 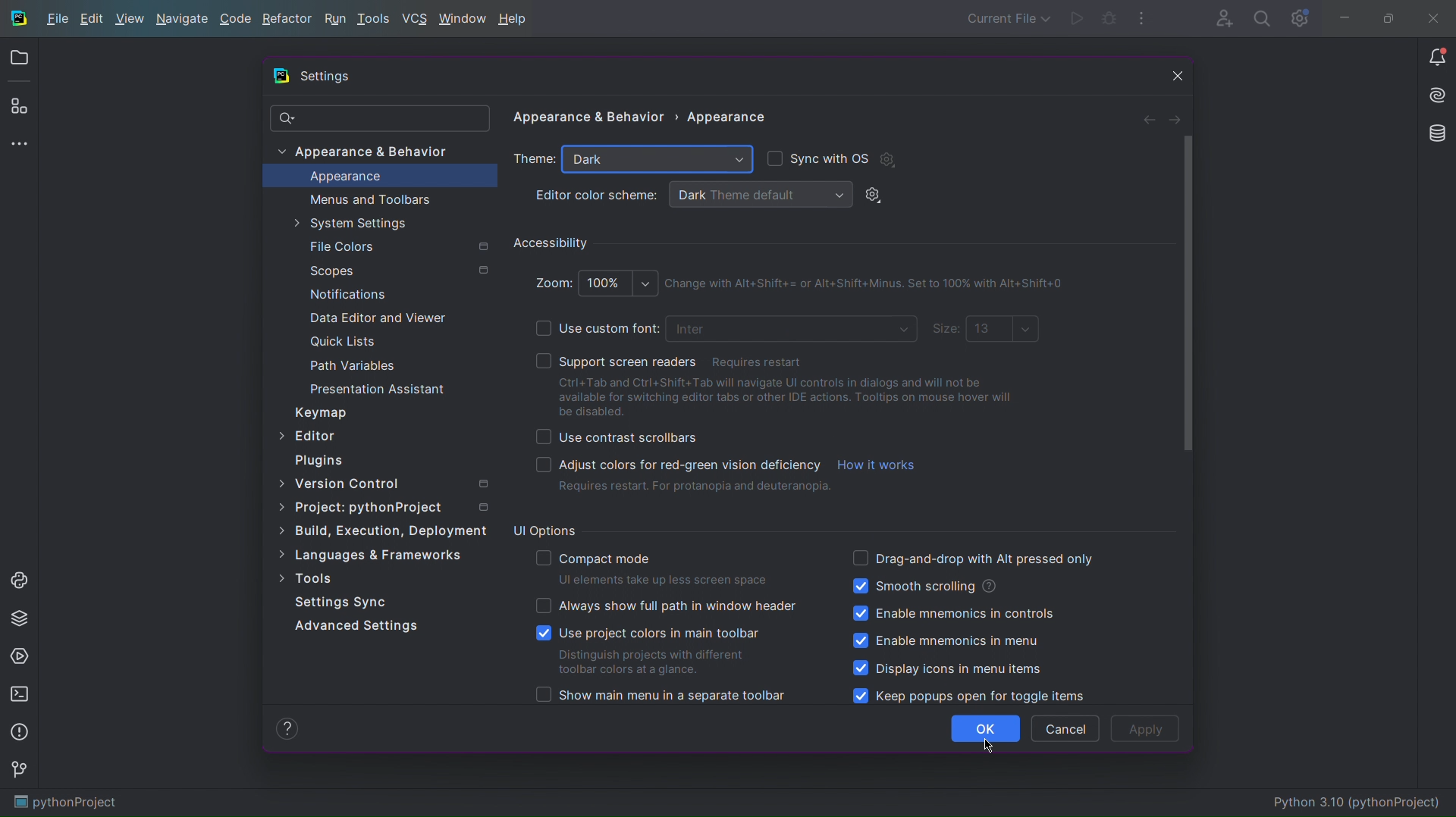 I want to click on Settings, so click(x=323, y=77).